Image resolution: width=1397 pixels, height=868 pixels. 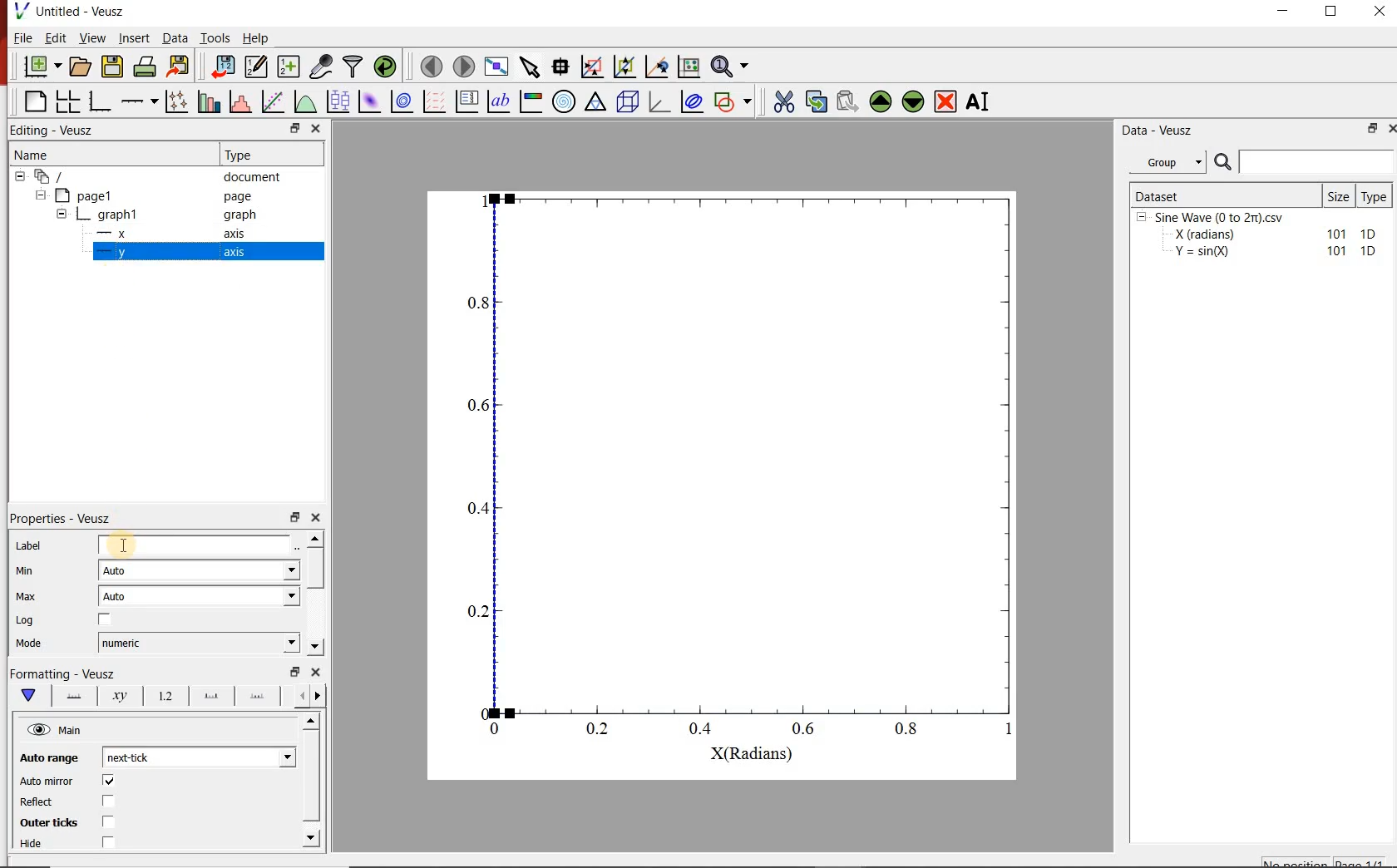 I want to click on Up, so click(x=310, y=722).